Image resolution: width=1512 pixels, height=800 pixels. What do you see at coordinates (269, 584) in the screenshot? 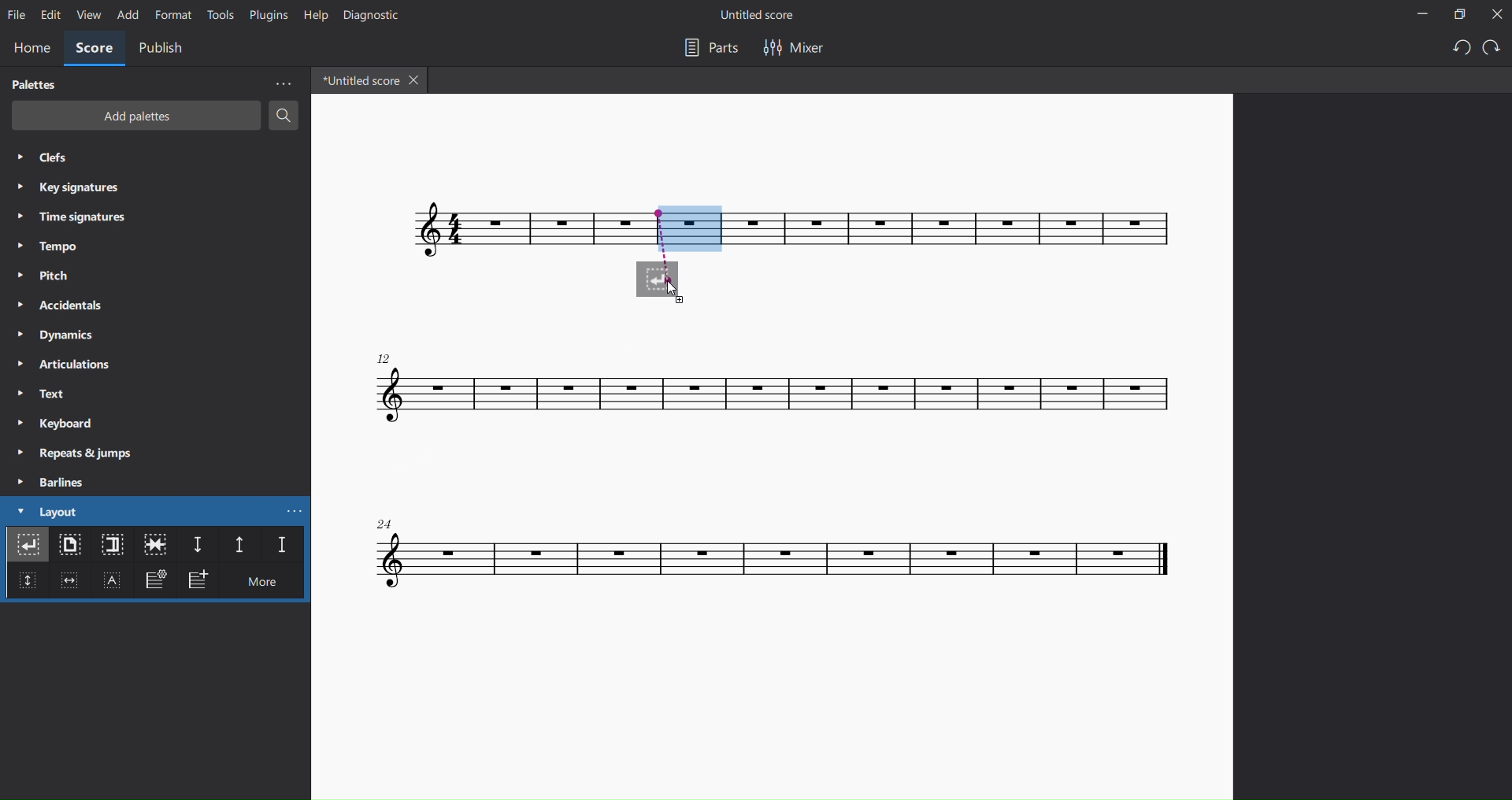
I see `more` at bounding box center [269, 584].